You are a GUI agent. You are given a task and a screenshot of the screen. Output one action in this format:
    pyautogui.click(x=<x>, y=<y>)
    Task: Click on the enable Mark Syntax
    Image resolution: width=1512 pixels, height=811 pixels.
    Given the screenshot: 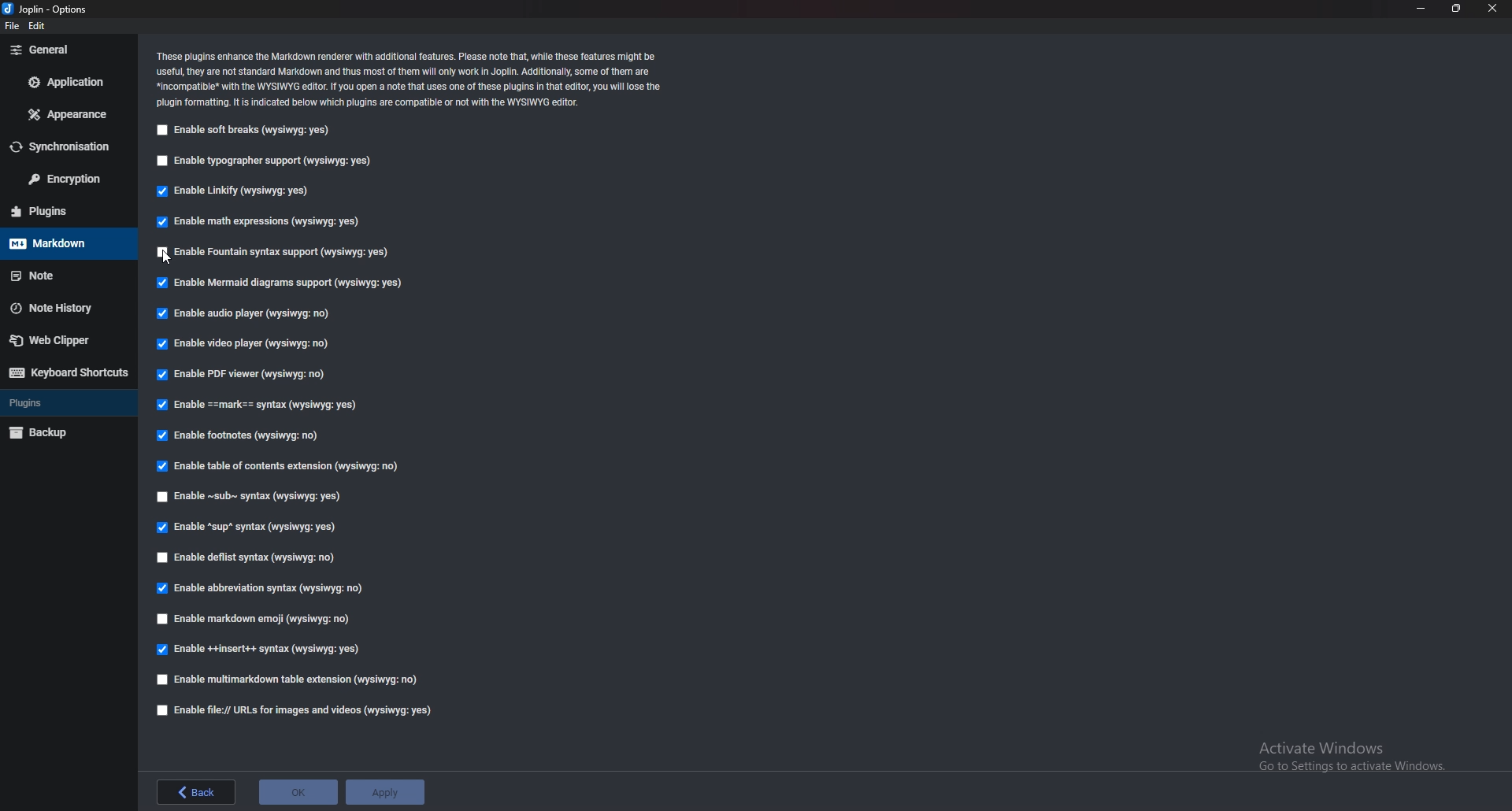 What is the action you would take?
    pyautogui.click(x=264, y=405)
    